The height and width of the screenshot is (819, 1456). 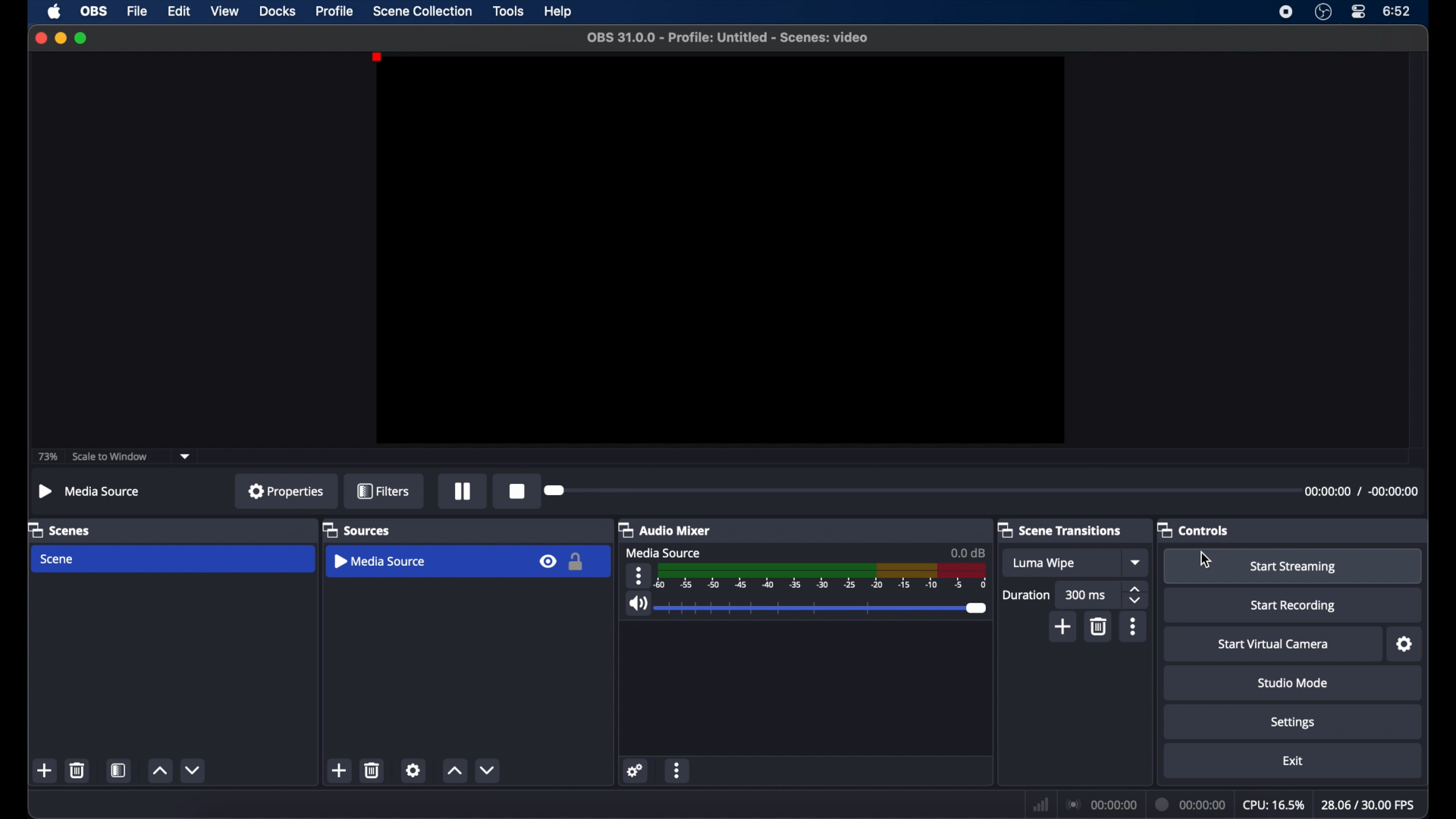 I want to click on obs, so click(x=96, y=11).